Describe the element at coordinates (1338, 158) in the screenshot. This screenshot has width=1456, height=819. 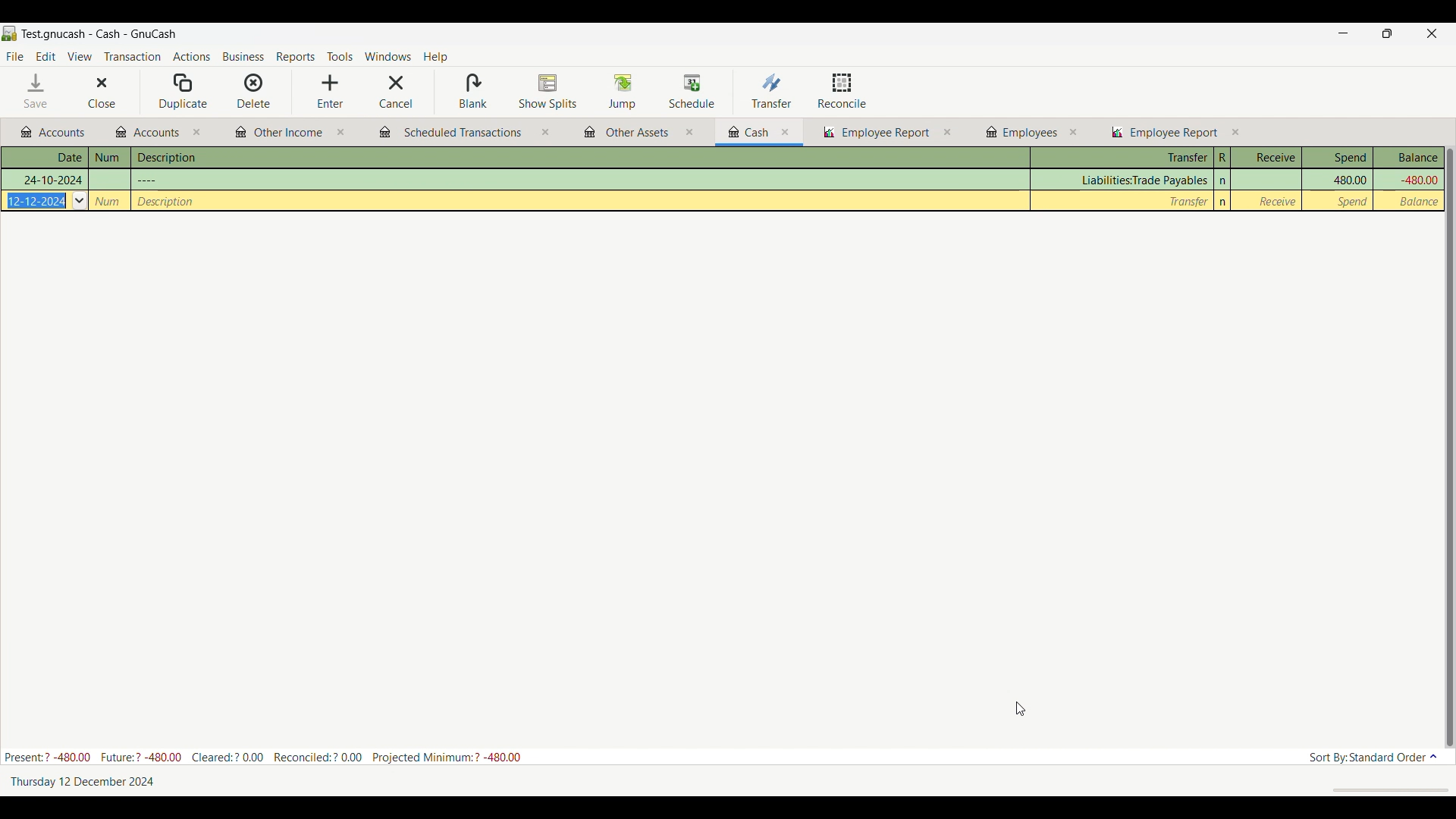
I see `Spend column` at that location.